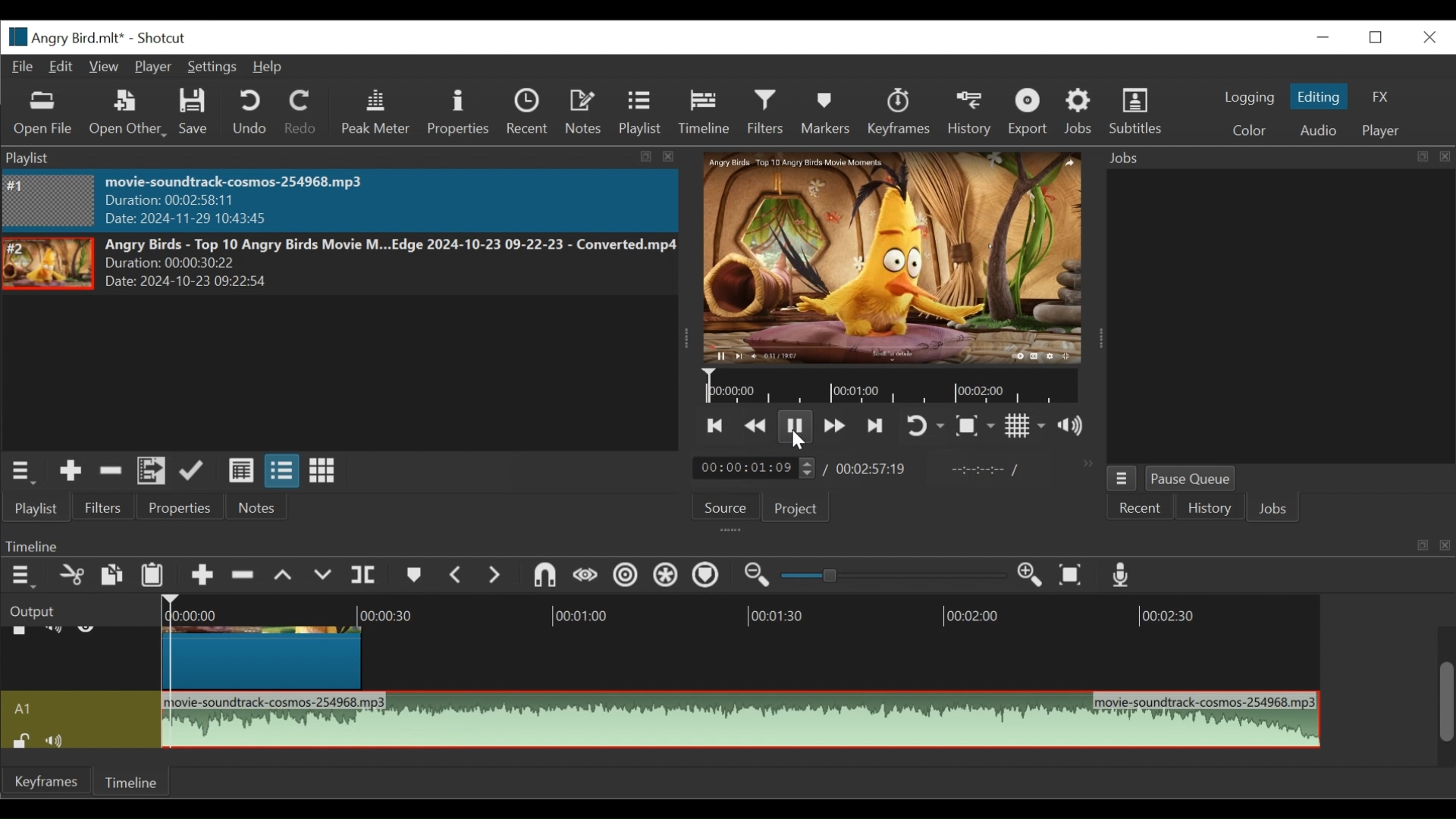 This screenshot has height=819, width=1456. I want to click on Copy, so click(115, 576).